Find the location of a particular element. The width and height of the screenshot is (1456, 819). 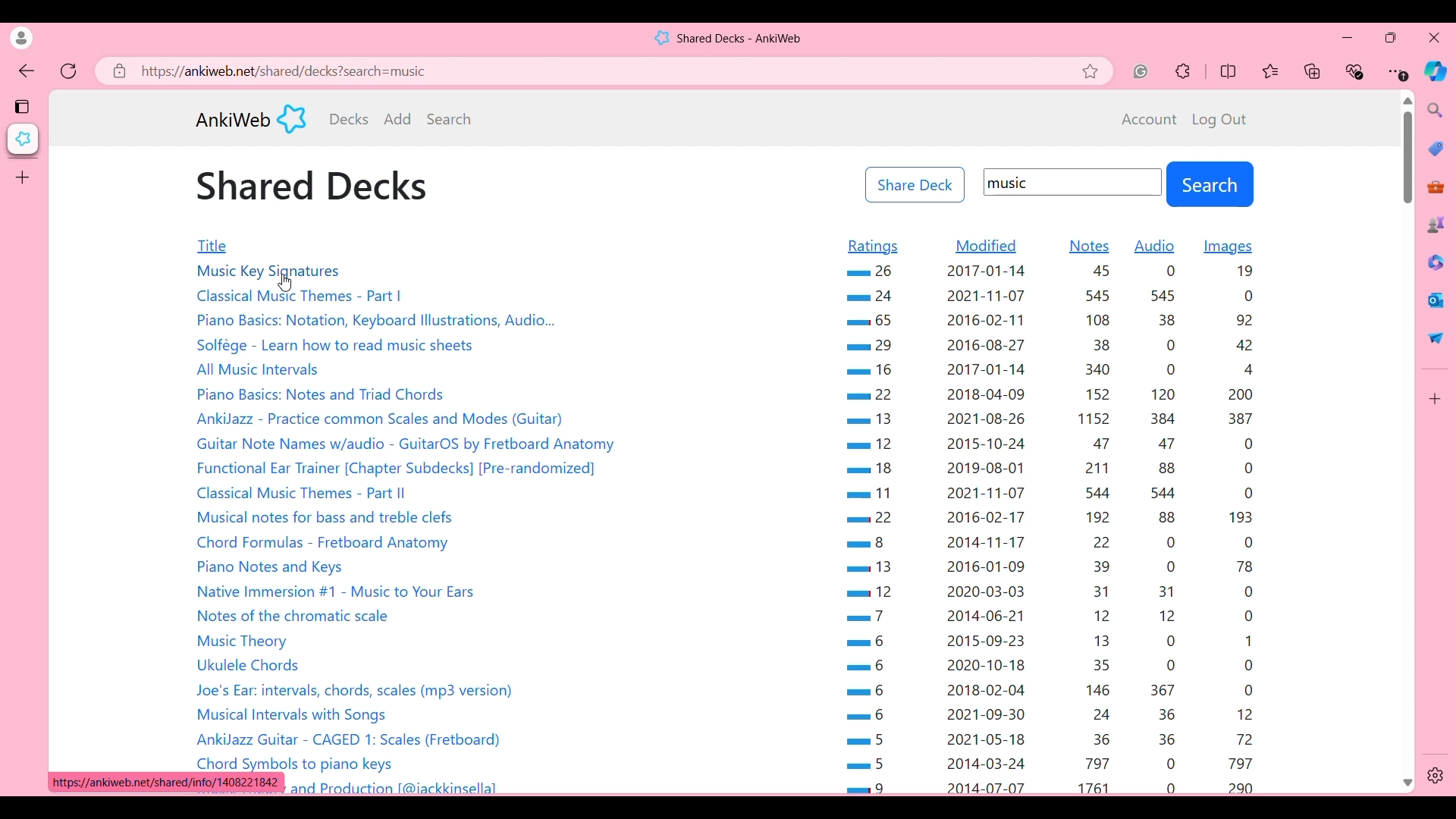

Search is located at coordinates (1210, 184).